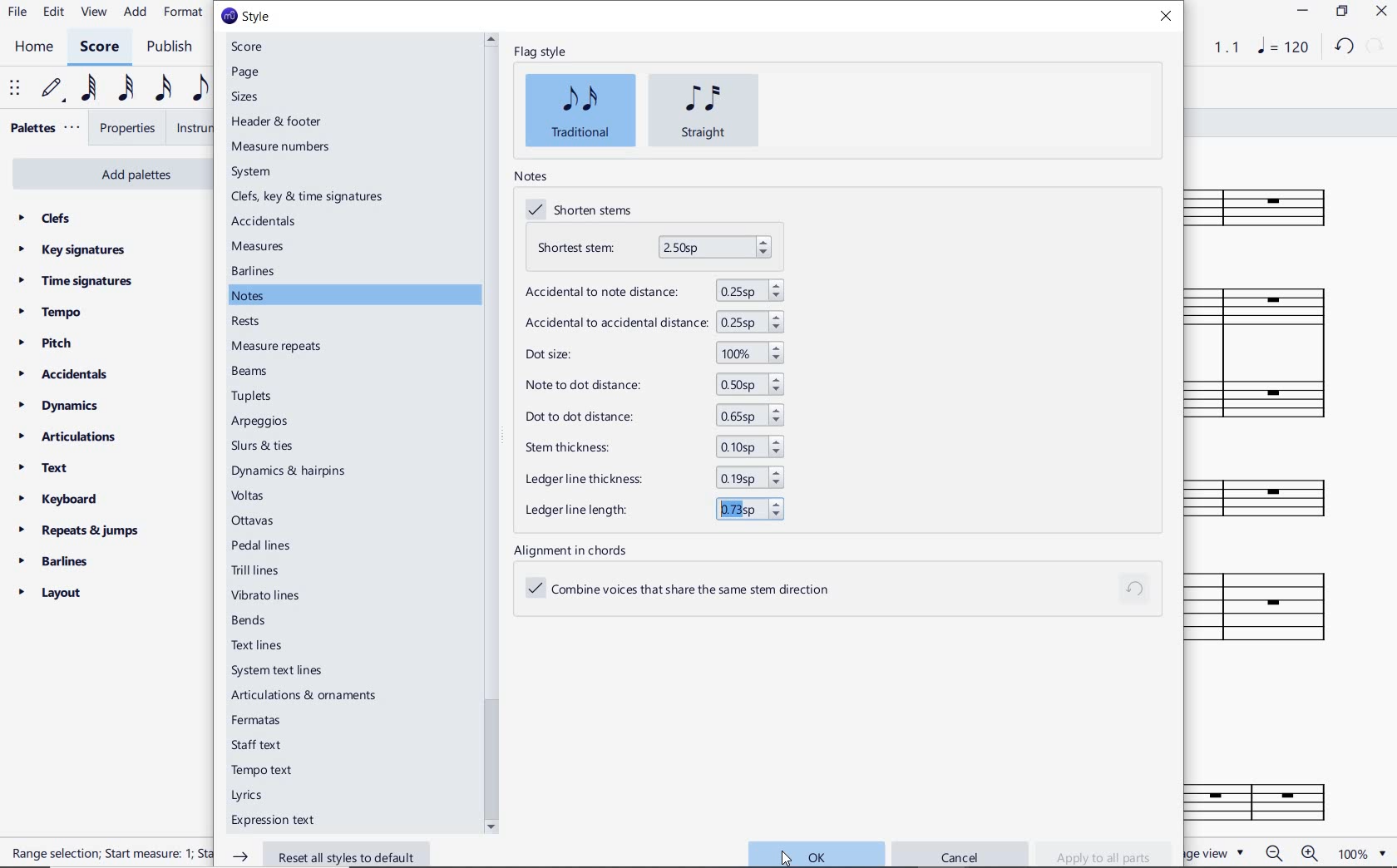 The height and width of the screenshot is (868, 1397). What do you see at coordinates (244, 73) in the screenshot?
I see `page` at bounding box center [244, 73].